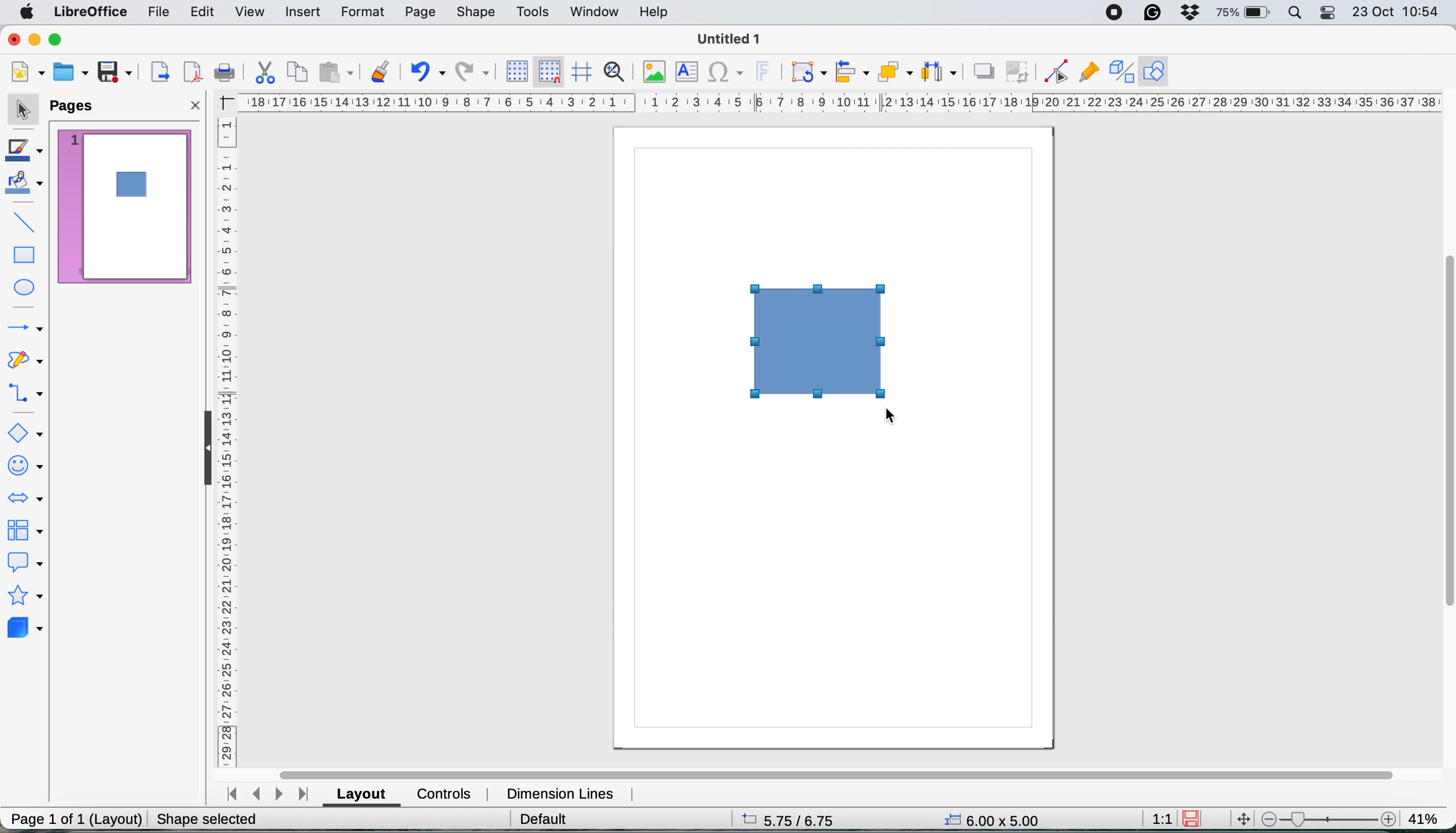 Image resolution: width=1456 pixels, height=833 pixels. I want to click on edit, so click(204, 13).